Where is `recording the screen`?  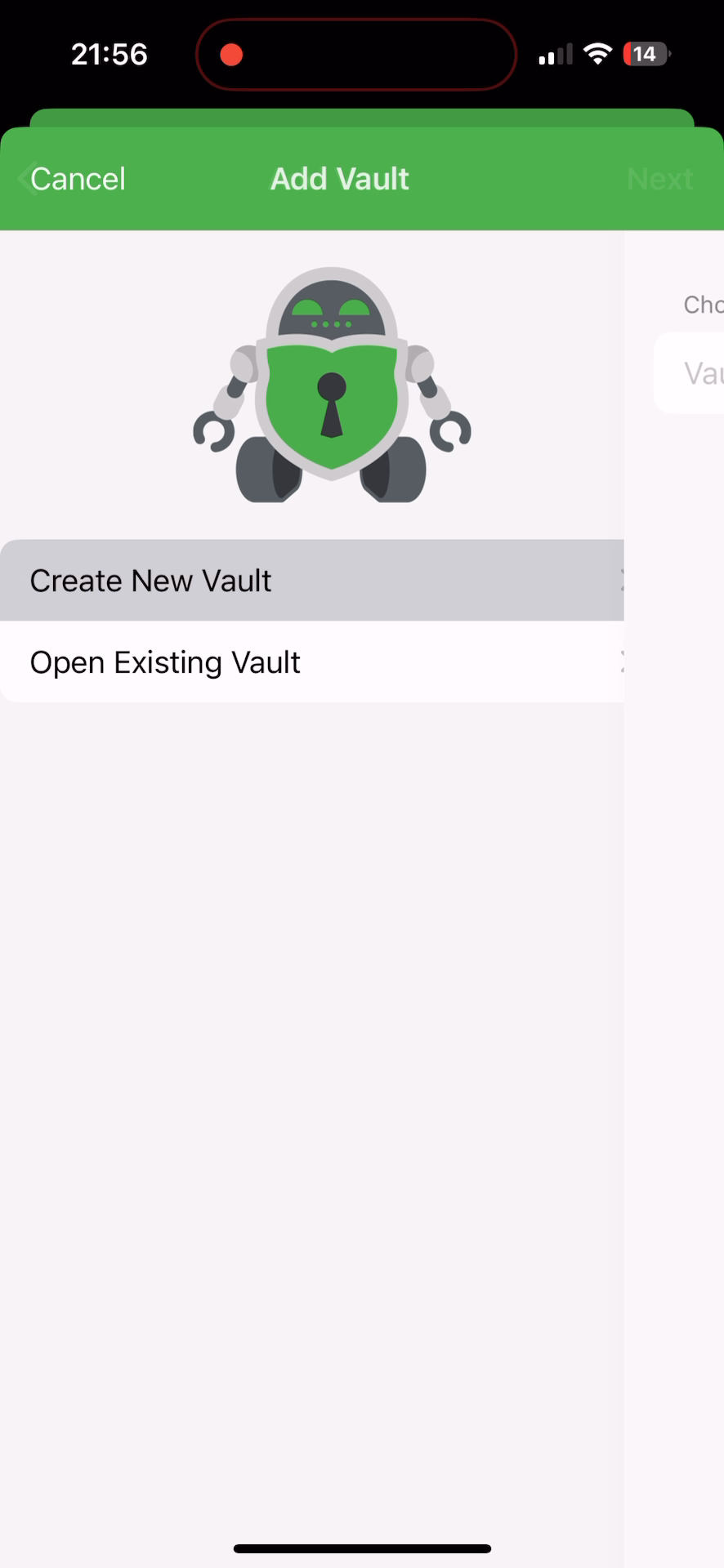 recording the screen is located at coordinates (231, 51).